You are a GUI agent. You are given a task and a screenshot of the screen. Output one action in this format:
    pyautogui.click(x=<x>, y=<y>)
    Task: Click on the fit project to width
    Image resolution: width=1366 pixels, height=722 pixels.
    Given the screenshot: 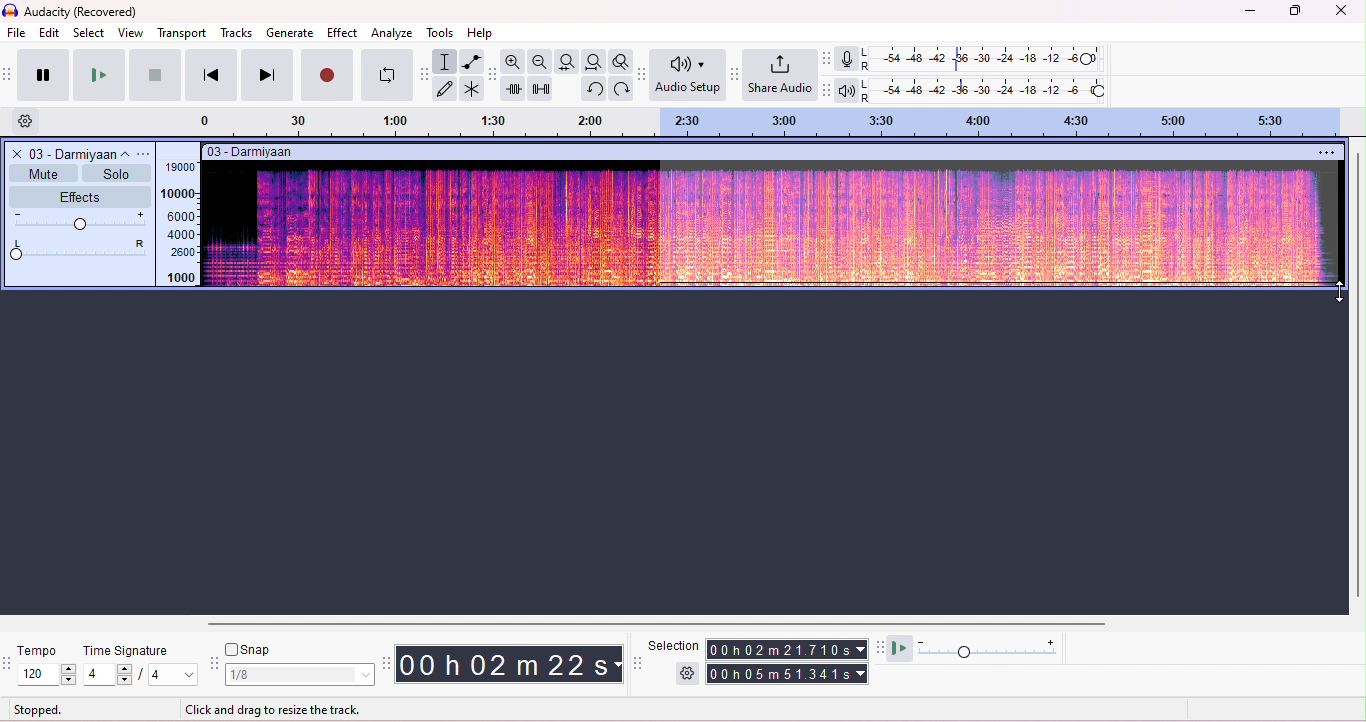 What is the action you would take?
    pyautogui.click(x=593, y=61)
    